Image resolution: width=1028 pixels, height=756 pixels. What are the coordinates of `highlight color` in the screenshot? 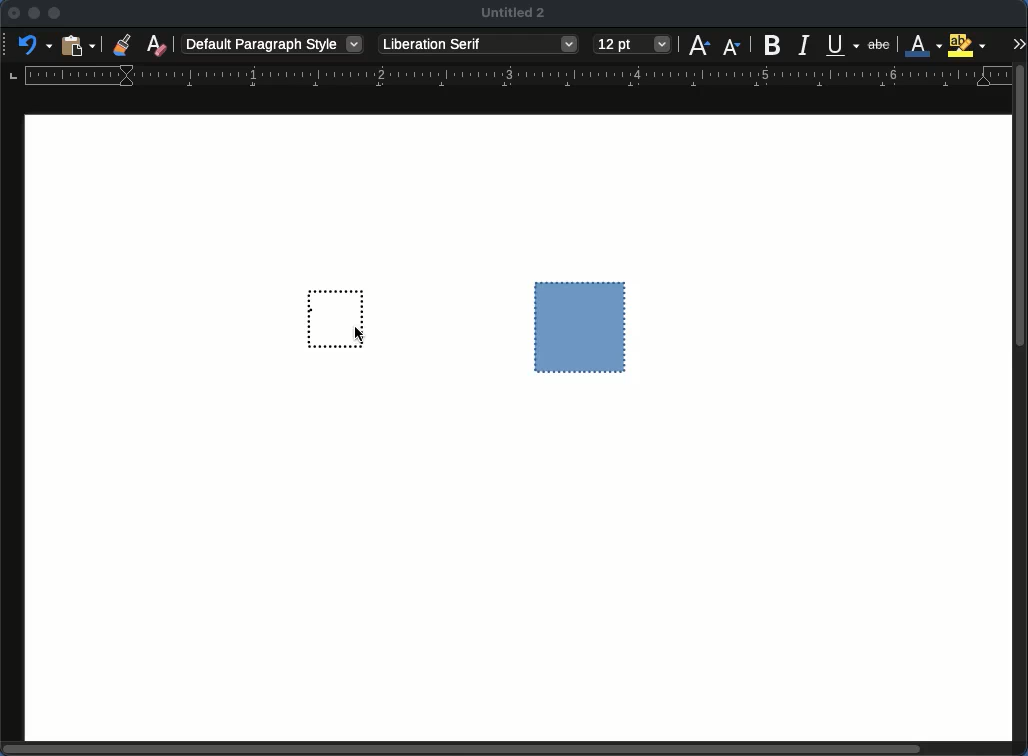 It's located at (967, 44).